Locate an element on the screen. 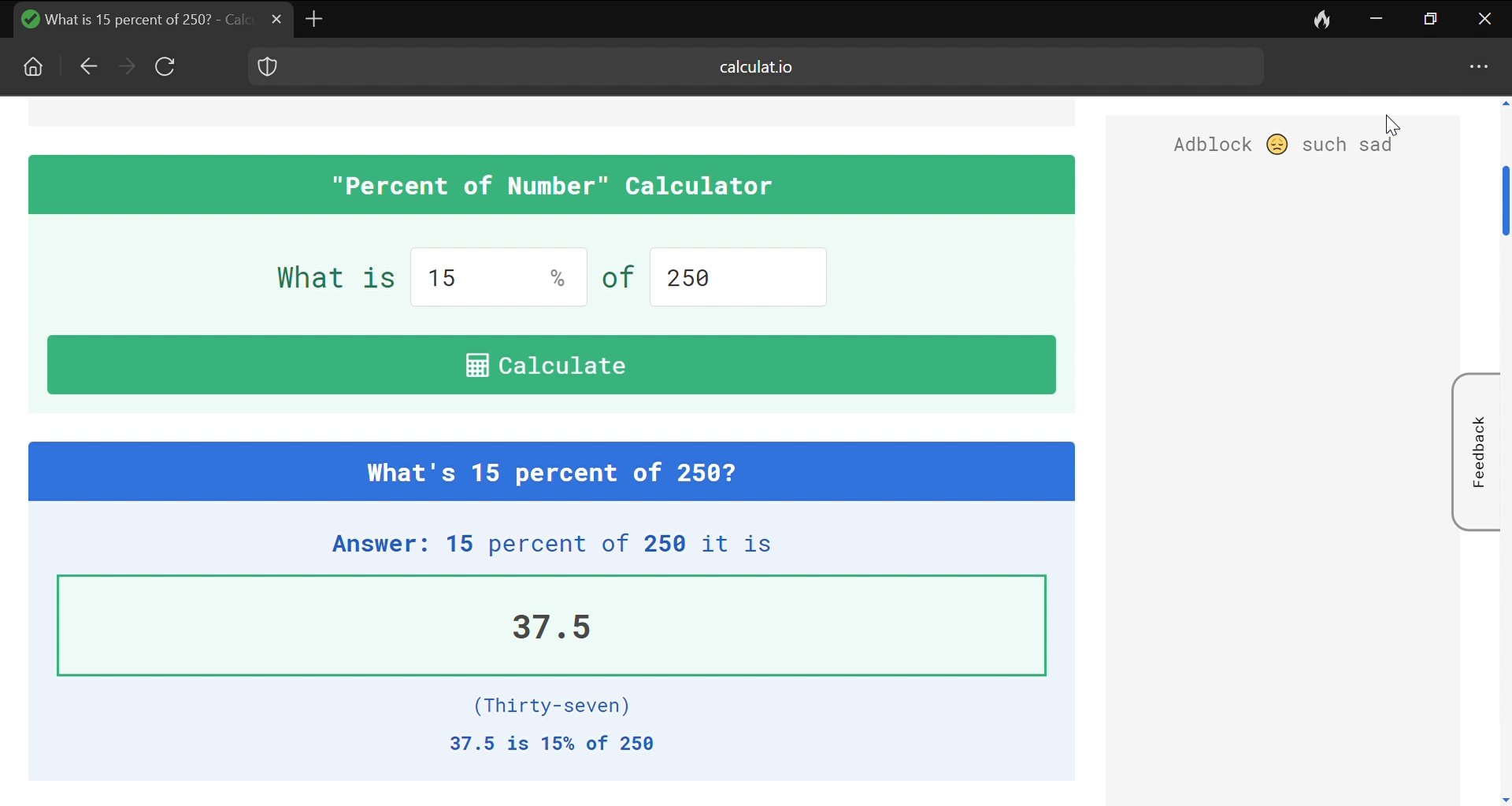 The image size is (1512, 806). i Calculate is located at coordinates (547, 364).